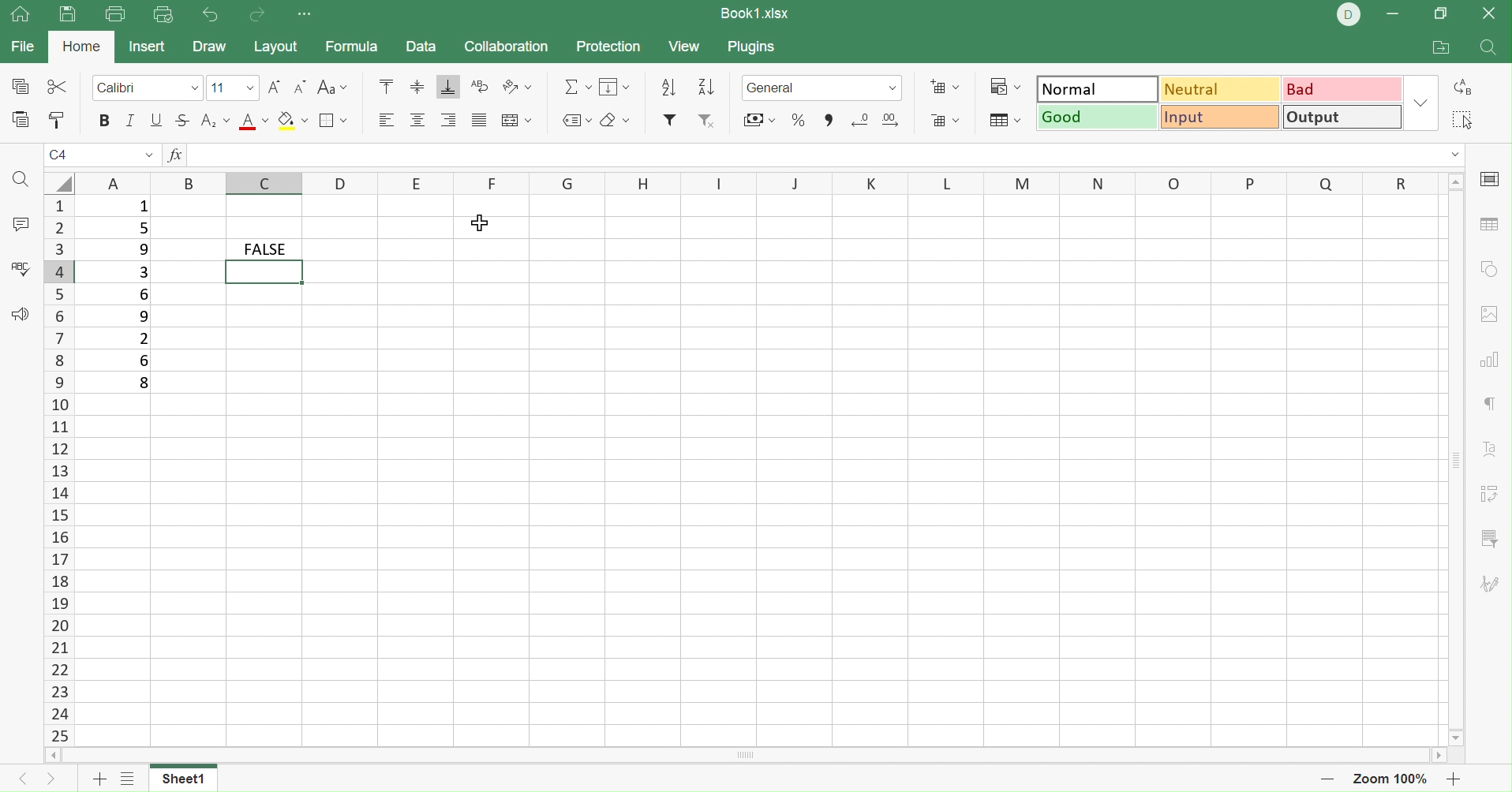 Image resolution: width=1512 pixels, height=792 pixels. Describe the element at coordinates (607, 47) in the screenshot. I see `Protection` at that location.